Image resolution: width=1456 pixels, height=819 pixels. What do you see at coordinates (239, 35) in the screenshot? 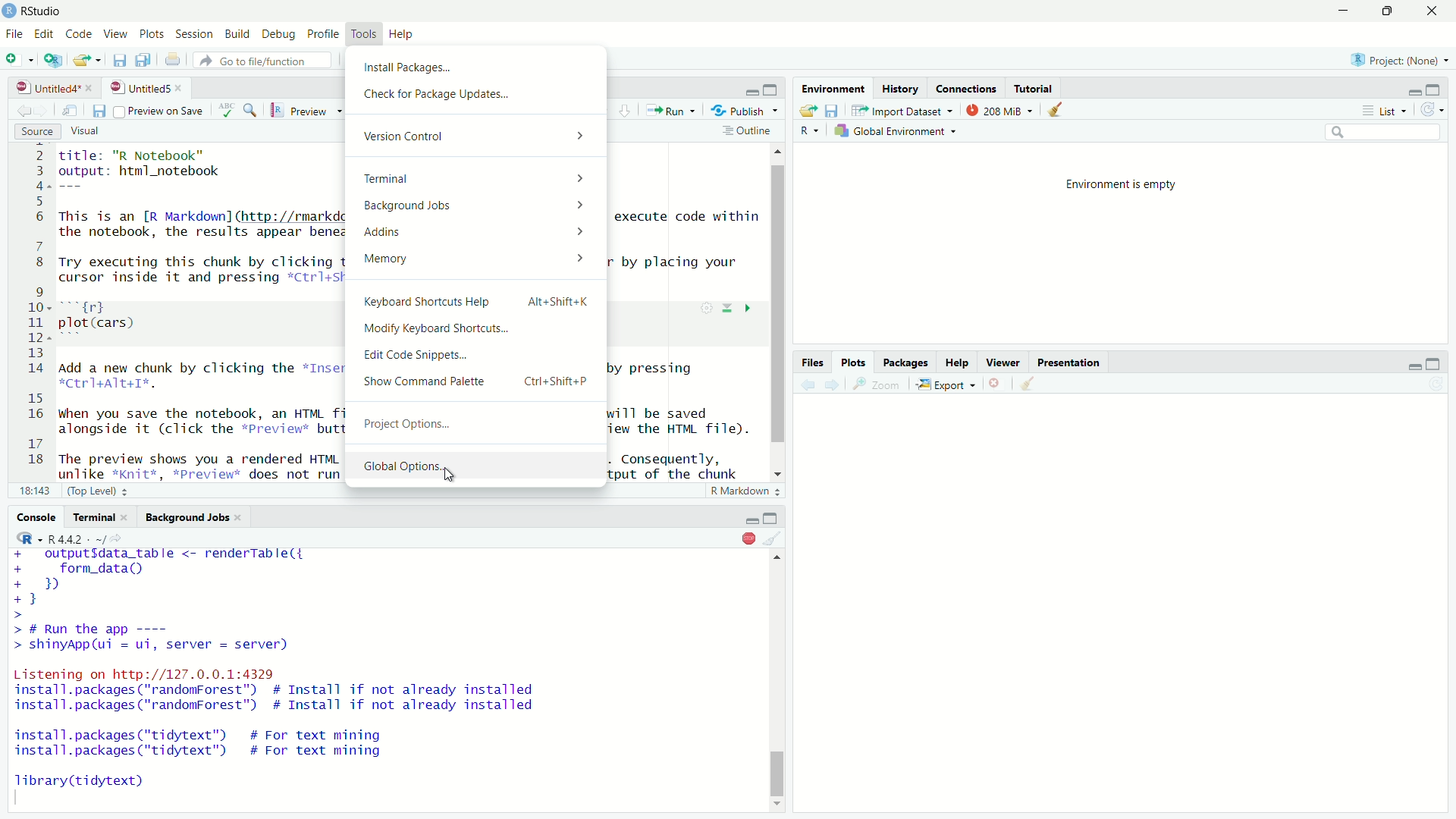
I see `Build` at bounding box center [239, 35].